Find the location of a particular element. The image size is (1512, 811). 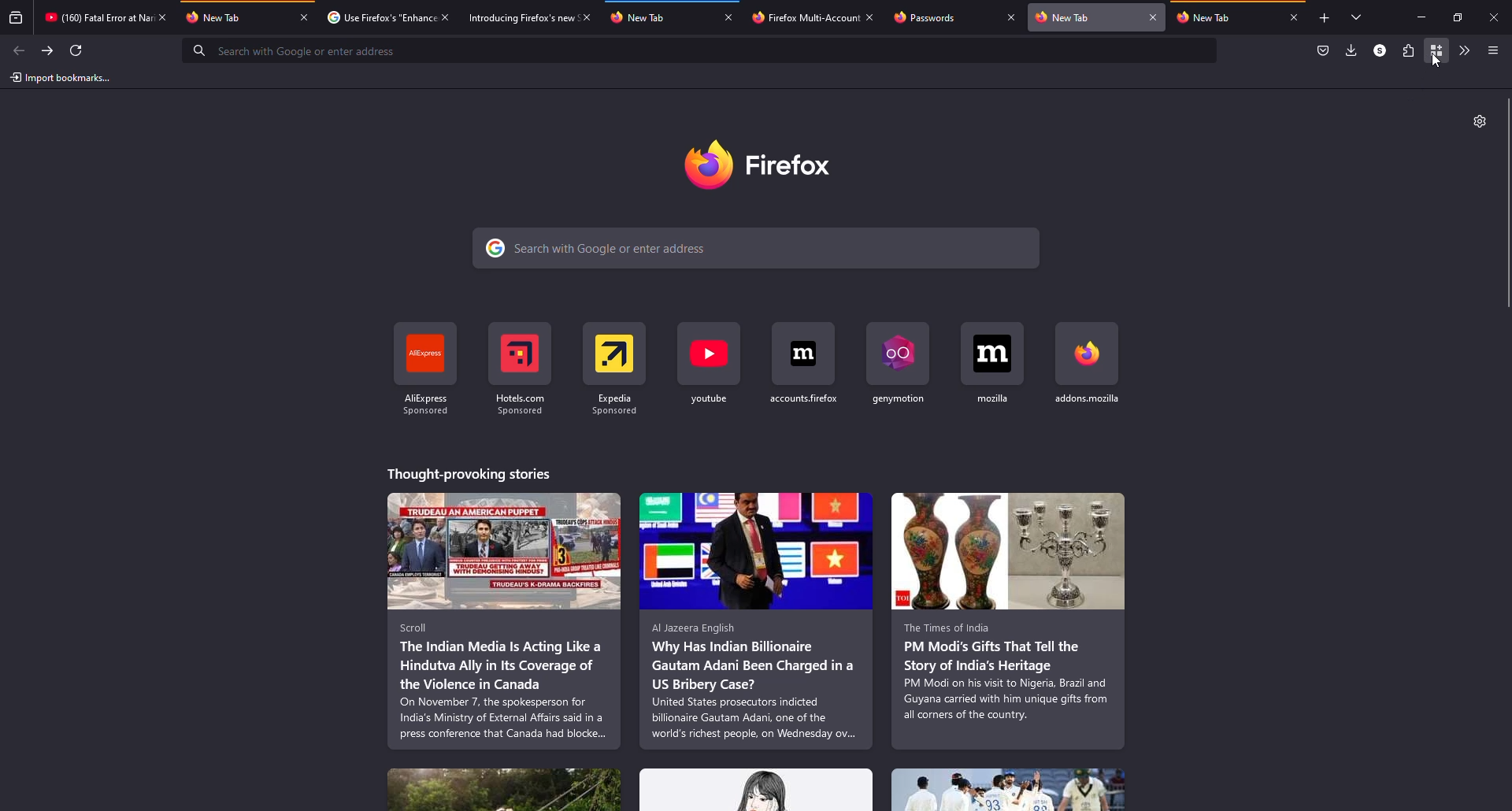

stories is located at coordinates (468, 472).